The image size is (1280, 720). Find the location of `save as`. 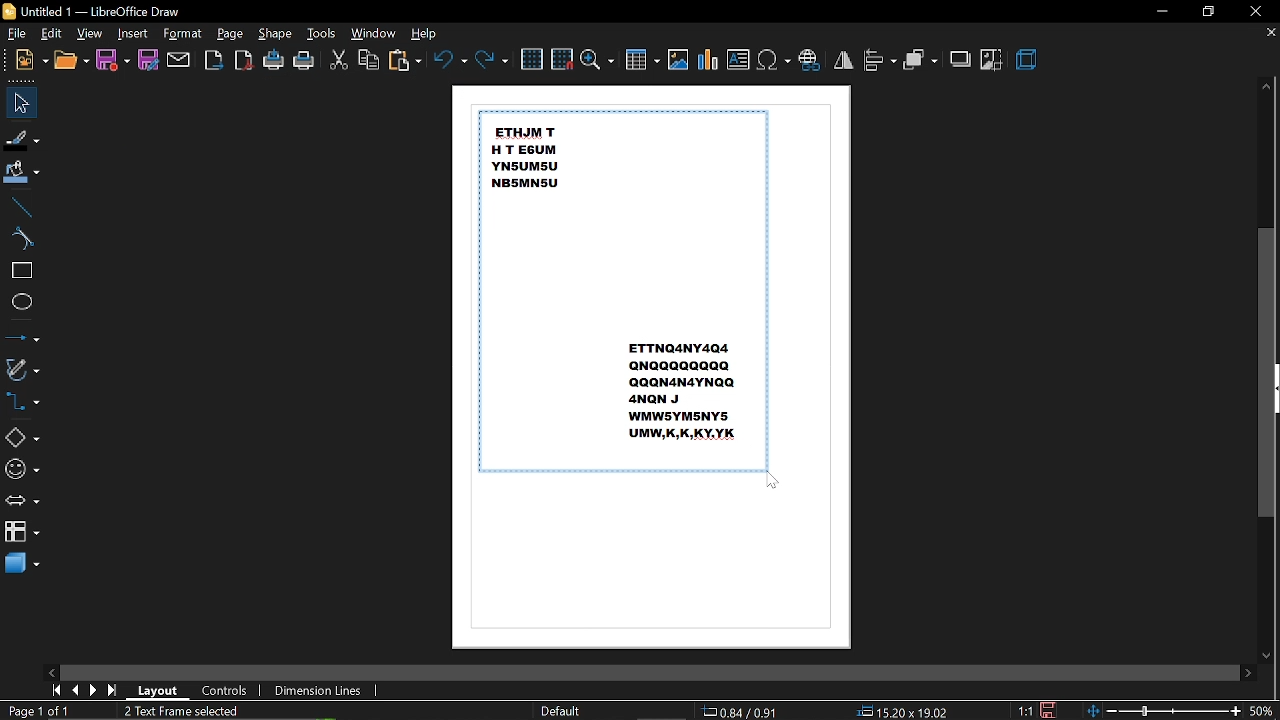

save as is located at coordinates (148, 62).